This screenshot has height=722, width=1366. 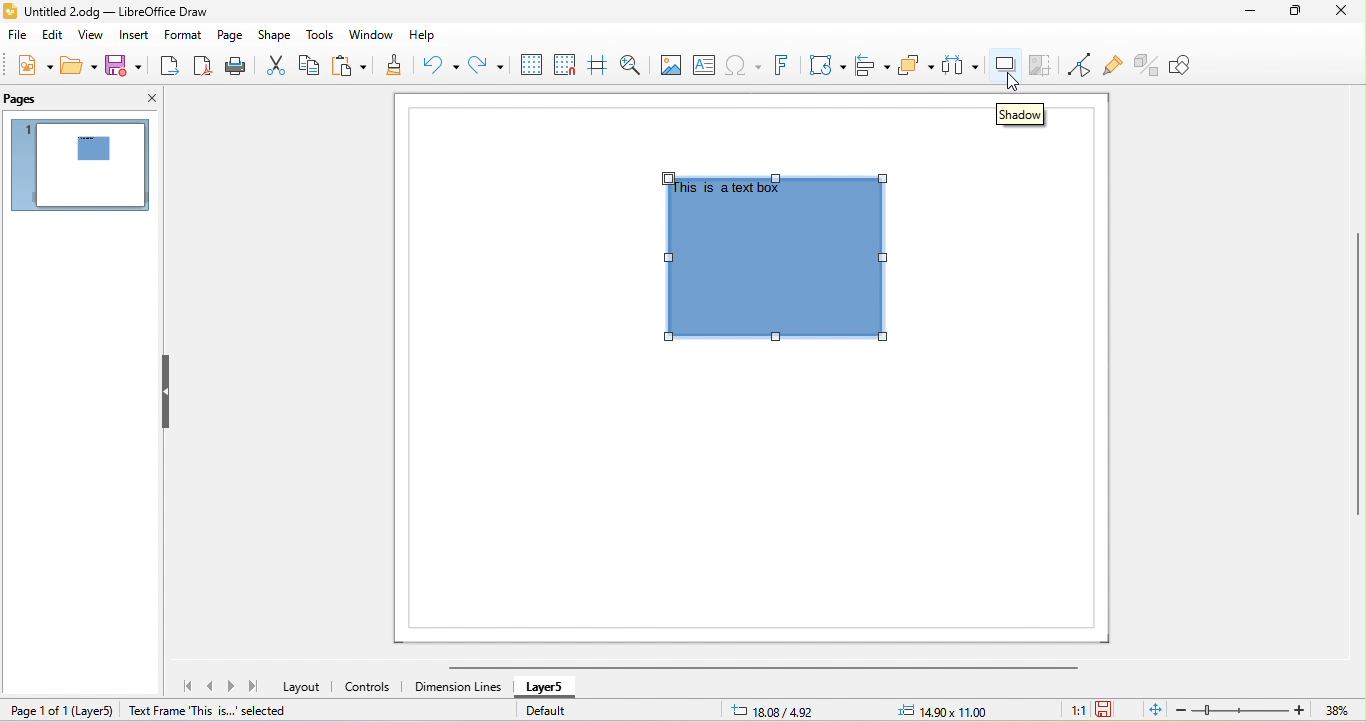 I want to click on default, so click(x=544, y=711).